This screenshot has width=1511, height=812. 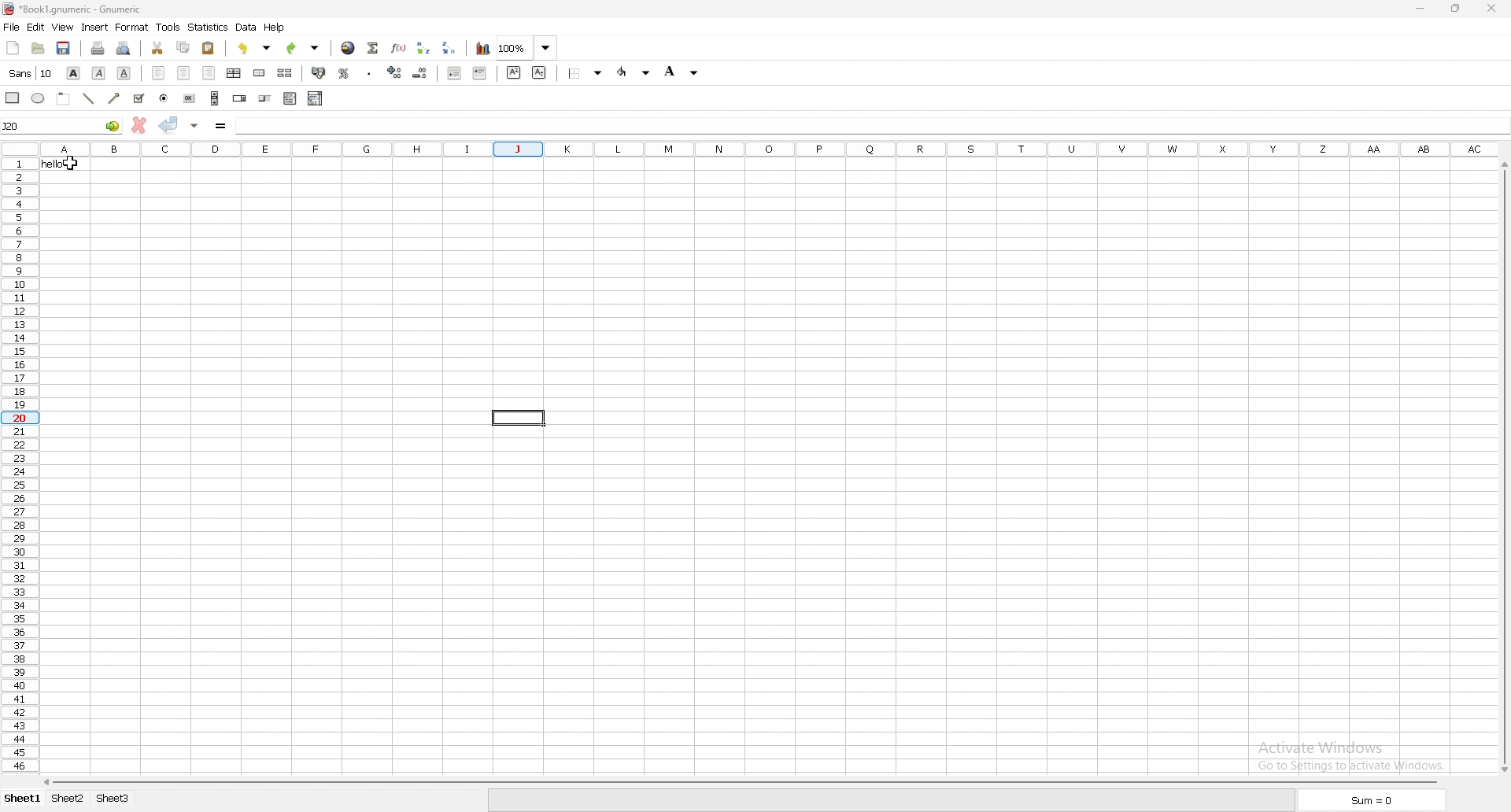 I want to click on restore, so click(x=1456, y=8).